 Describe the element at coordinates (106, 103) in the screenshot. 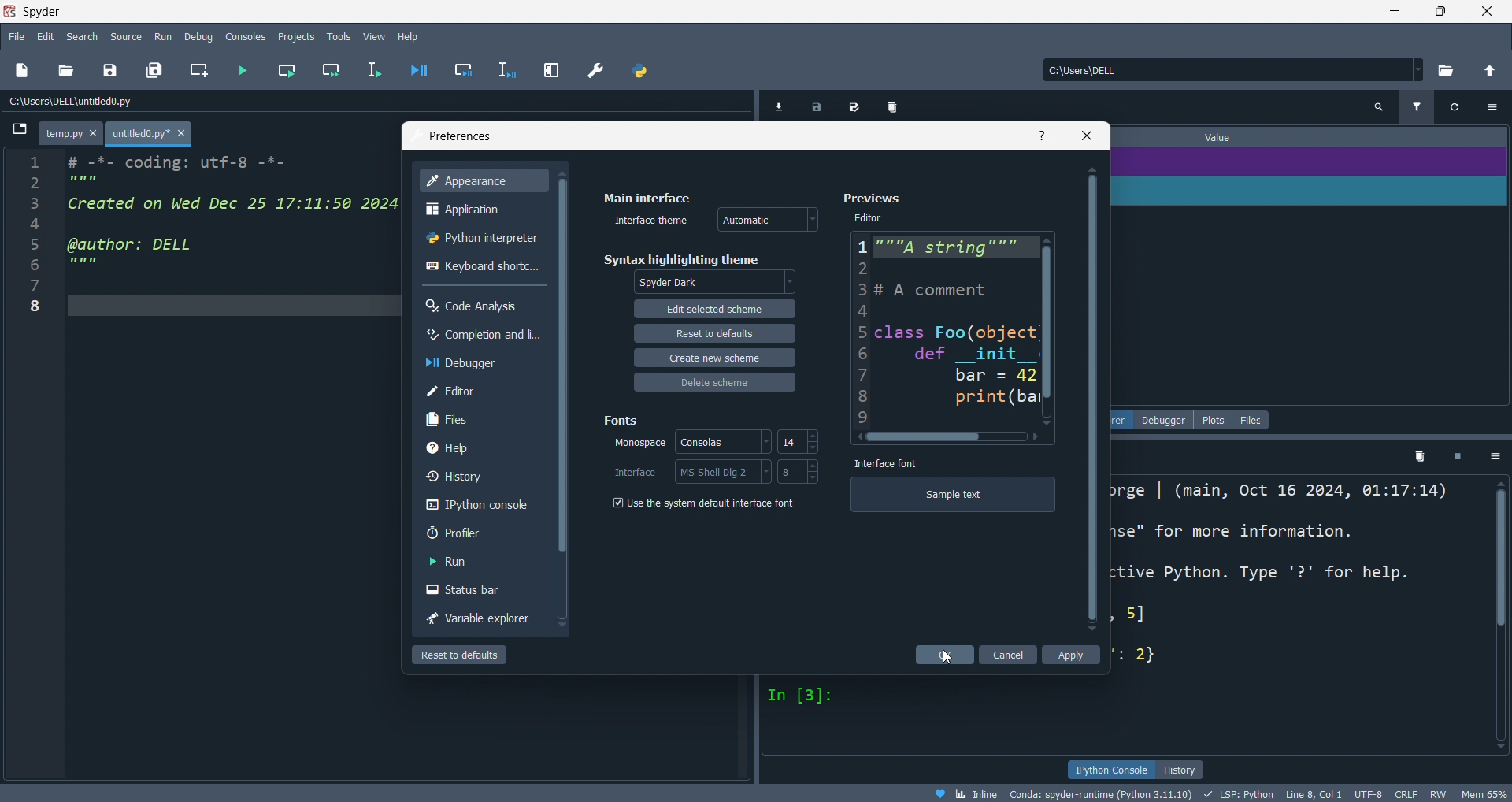

I see `C:\Users\DELL \untitled0.py` at that location.